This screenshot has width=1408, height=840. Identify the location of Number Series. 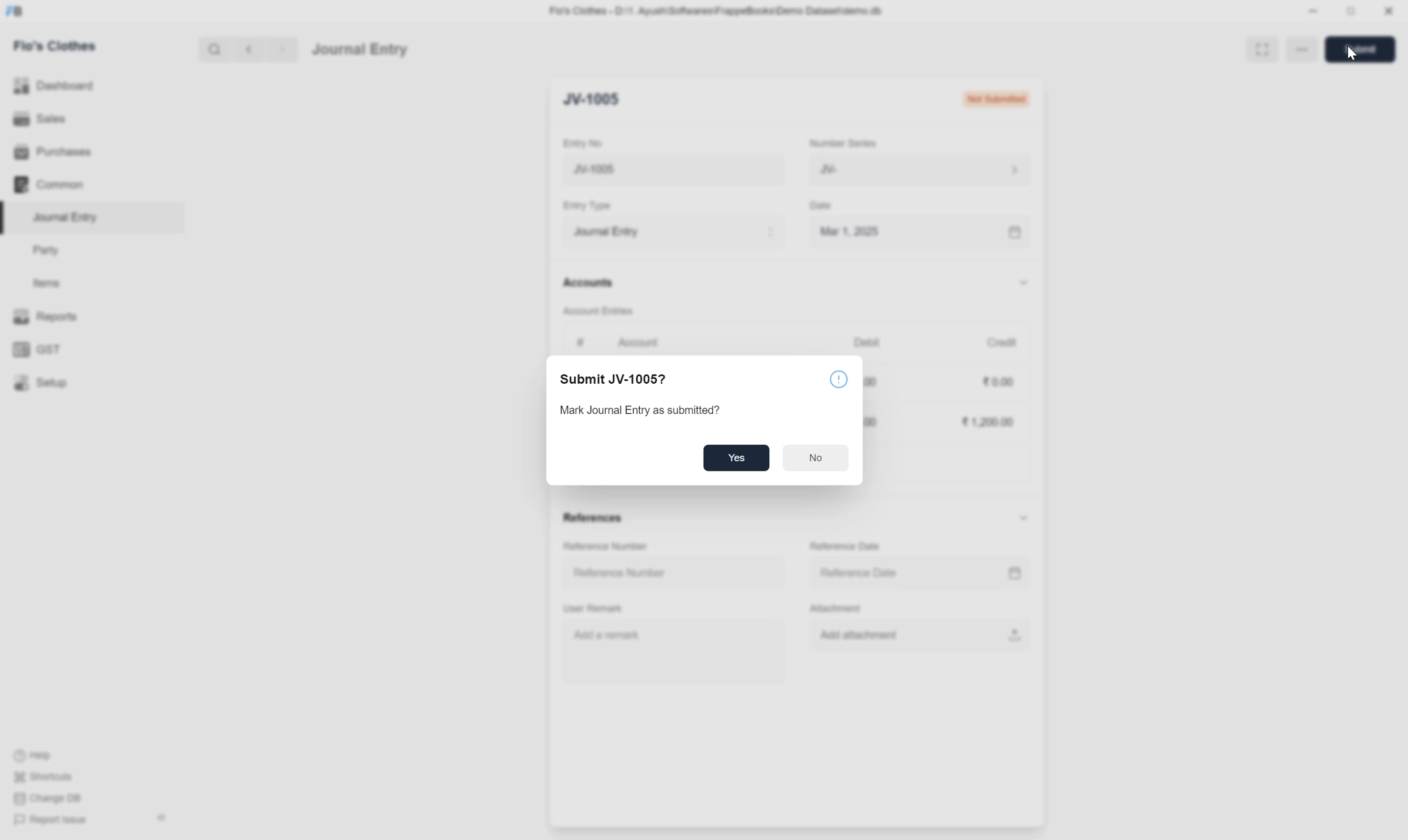
(844, 142).